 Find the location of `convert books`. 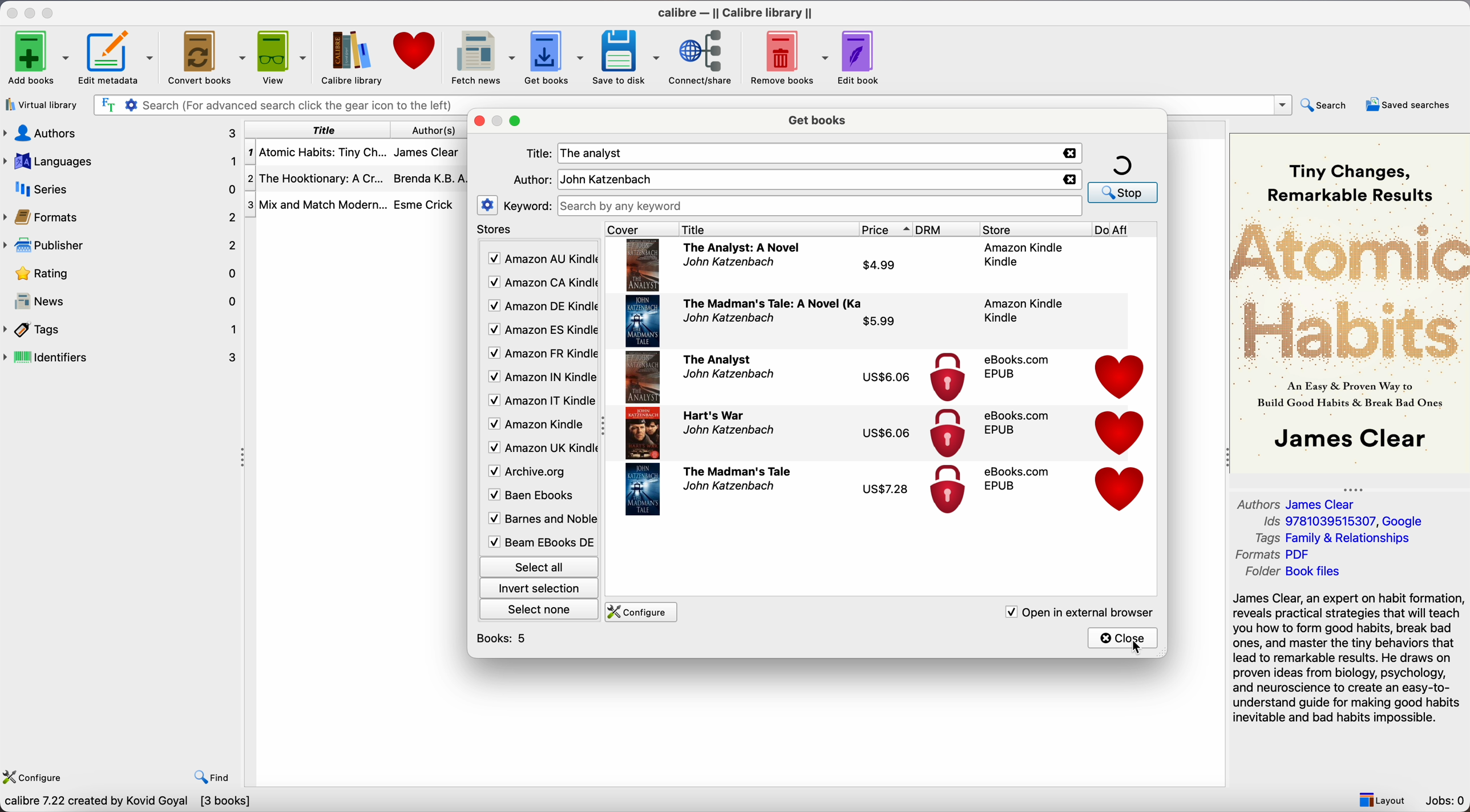

convert books is located at coordinates (205, 56).